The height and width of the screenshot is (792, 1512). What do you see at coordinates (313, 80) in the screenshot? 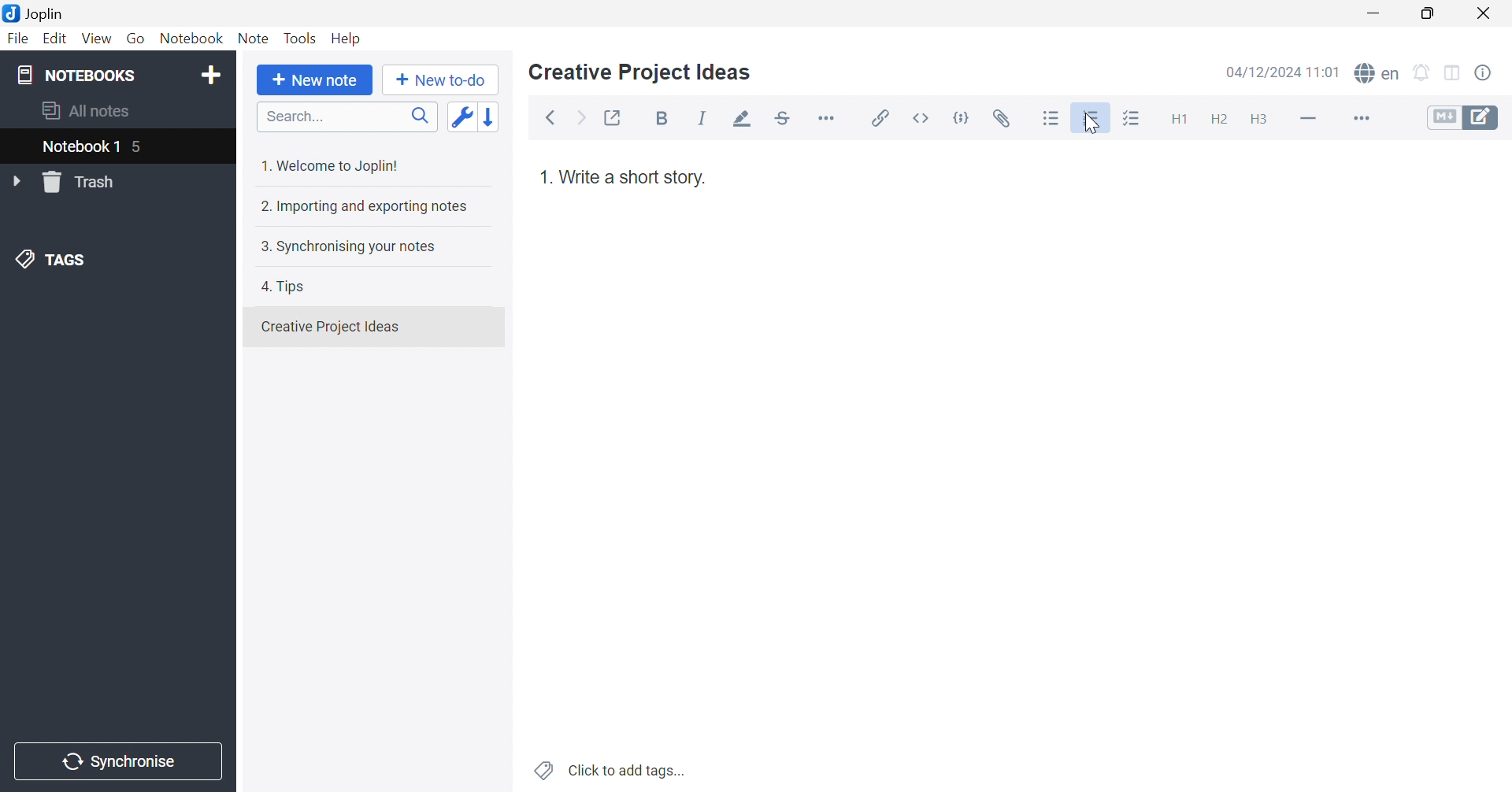
I see `New note` at bounding box center [313, 80].